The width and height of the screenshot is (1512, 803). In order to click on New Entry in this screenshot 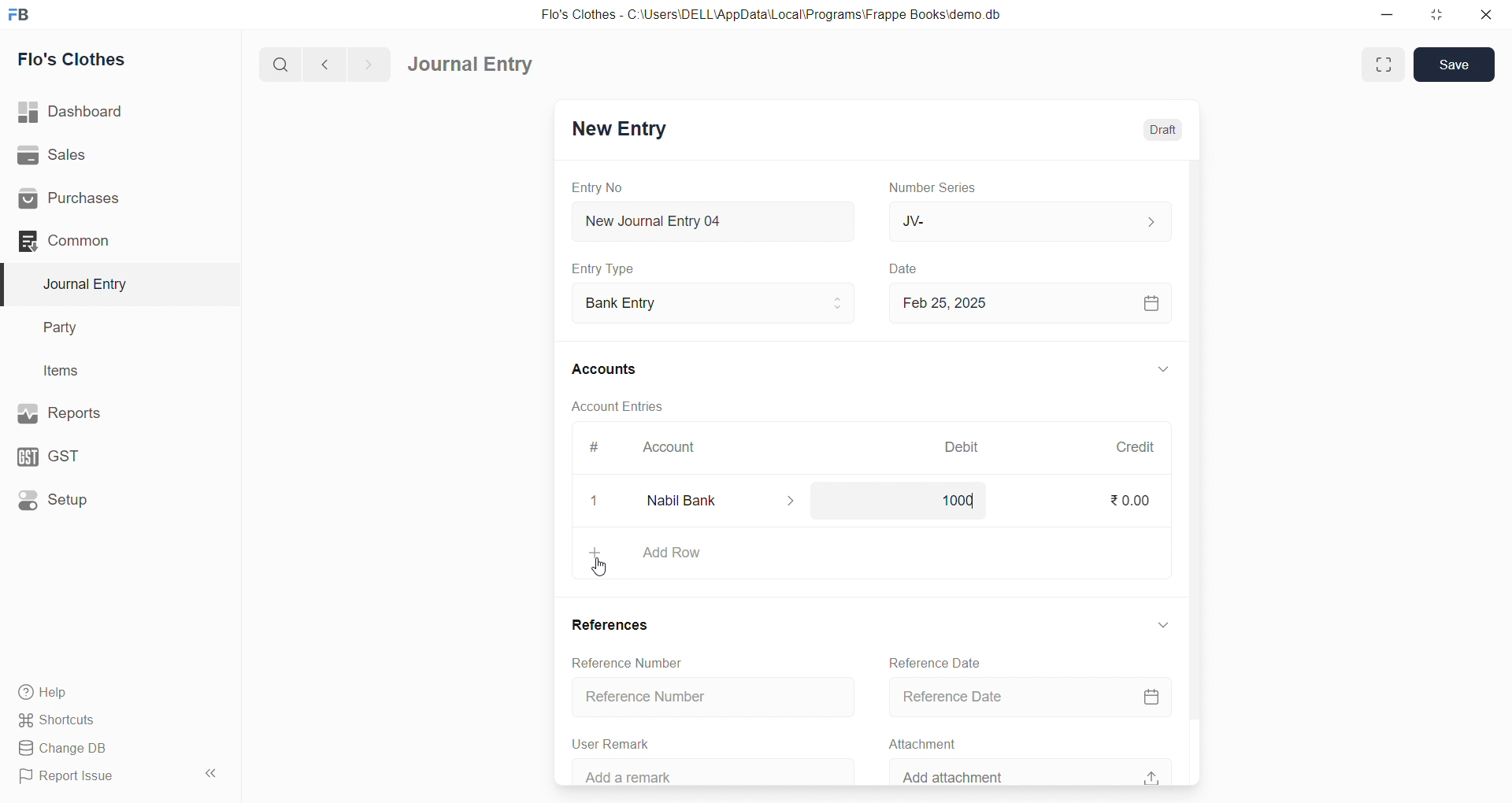, I will do `click(617, 131)`.